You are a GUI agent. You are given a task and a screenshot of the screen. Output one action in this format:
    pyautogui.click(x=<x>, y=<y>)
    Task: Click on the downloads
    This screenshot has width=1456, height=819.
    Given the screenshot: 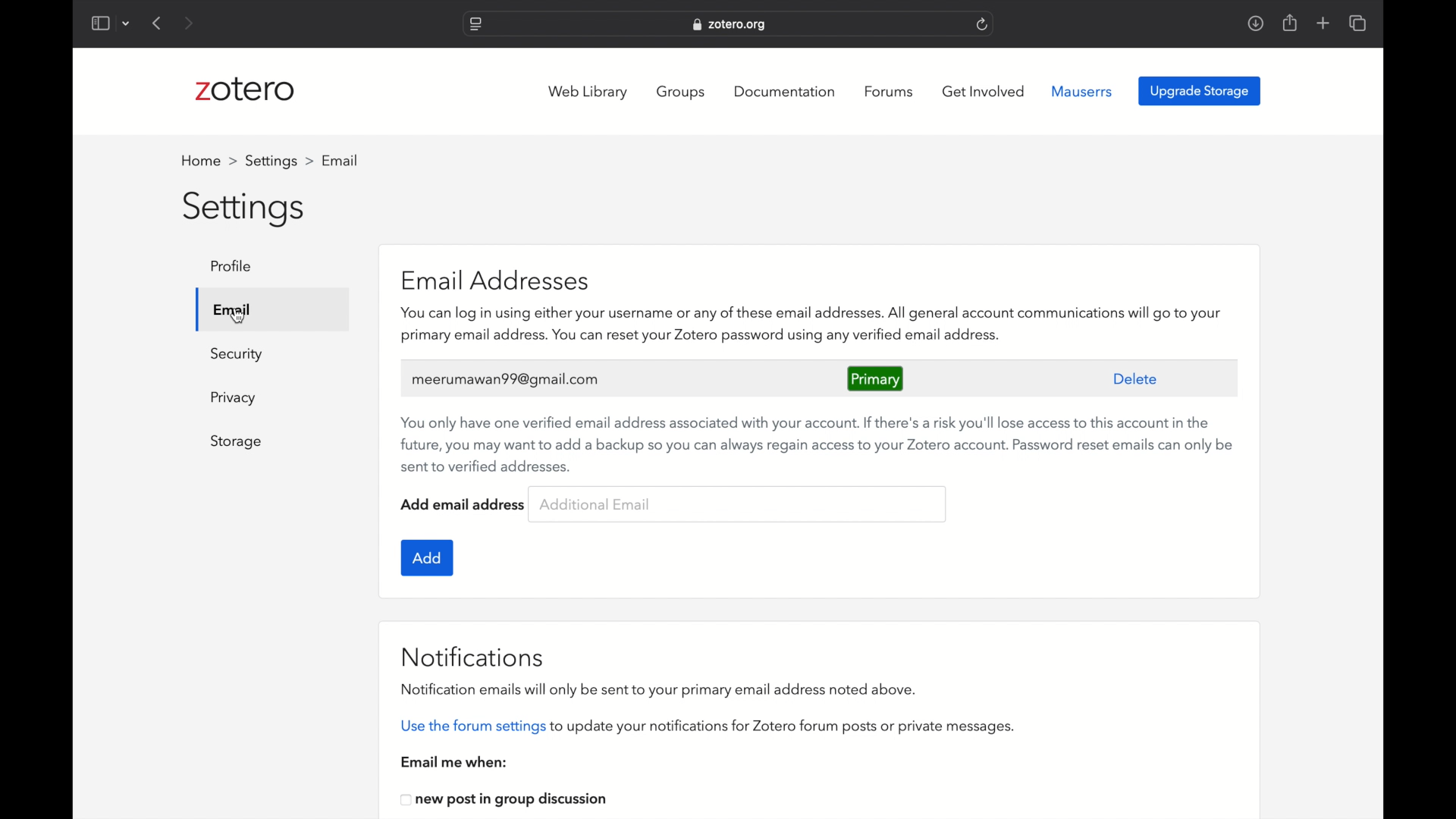 What is the action you would take?
    pyautogui.click(x=1255, y=24)
    